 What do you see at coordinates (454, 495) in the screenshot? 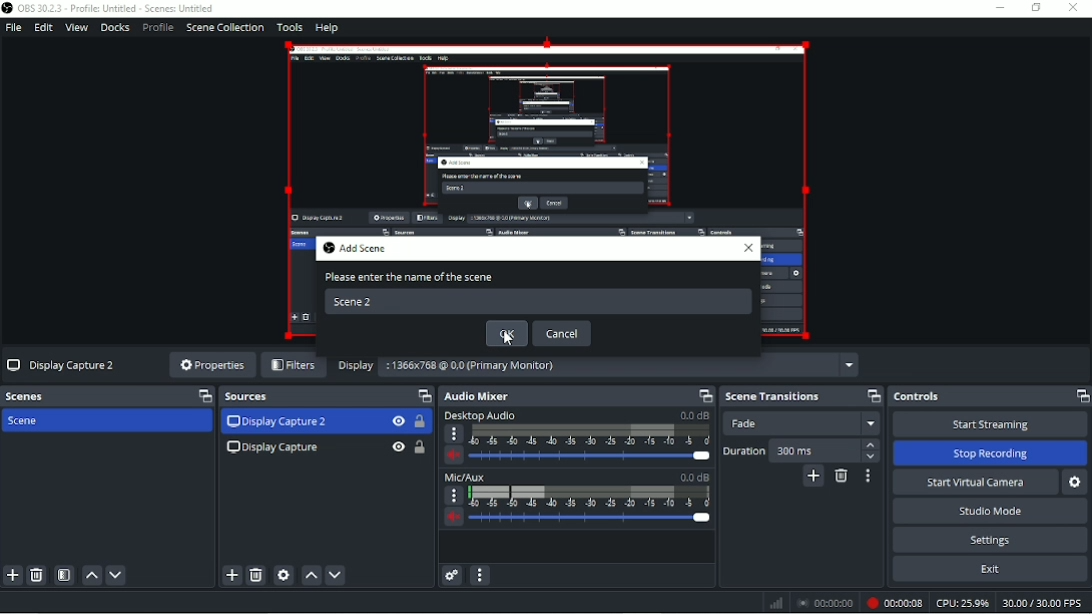
I see `More options` at bounding box center [454, 495].